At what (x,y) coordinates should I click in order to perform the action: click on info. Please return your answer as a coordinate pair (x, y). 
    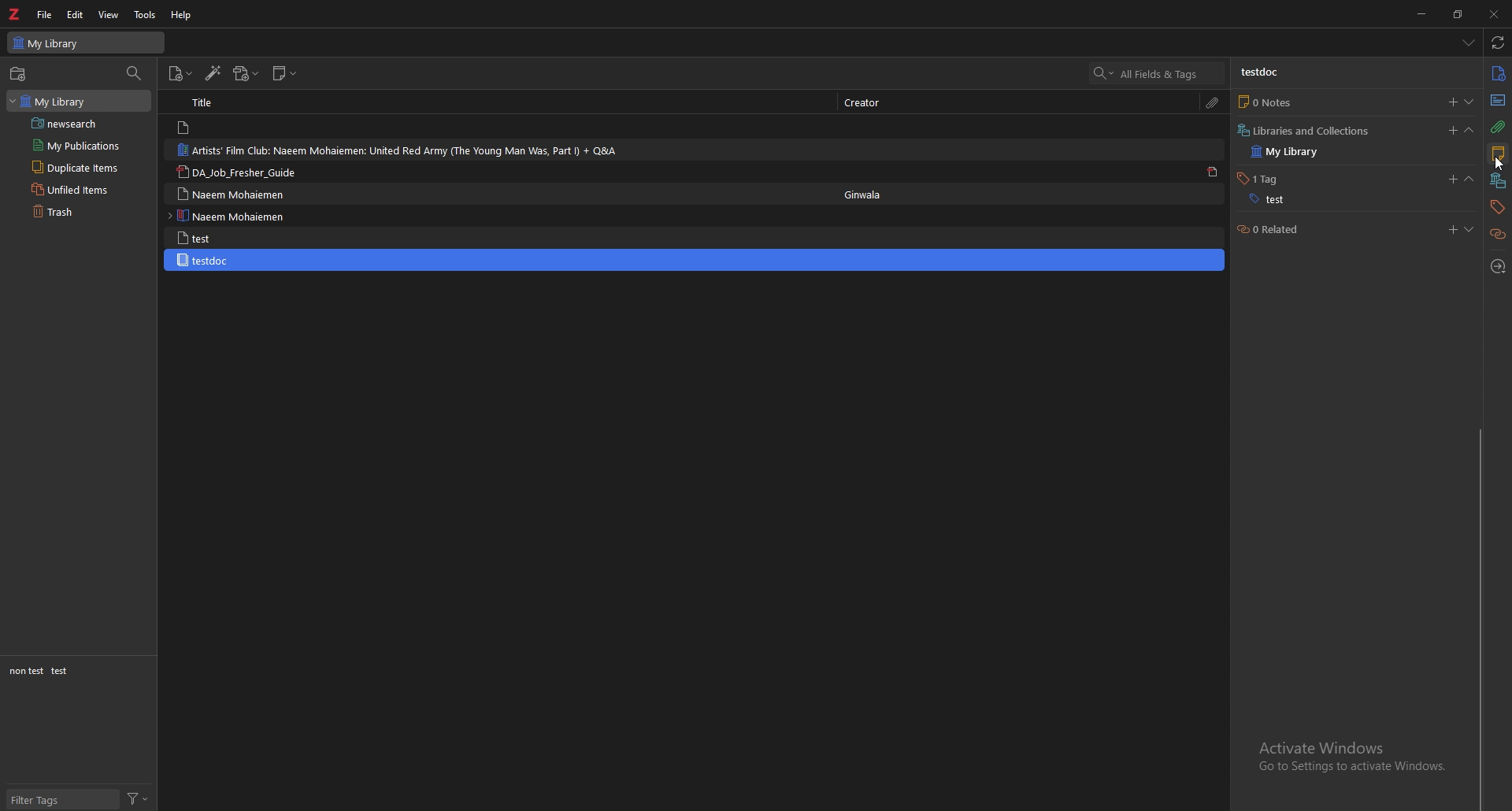
    Looking at the image, I should click on (1499, 72).